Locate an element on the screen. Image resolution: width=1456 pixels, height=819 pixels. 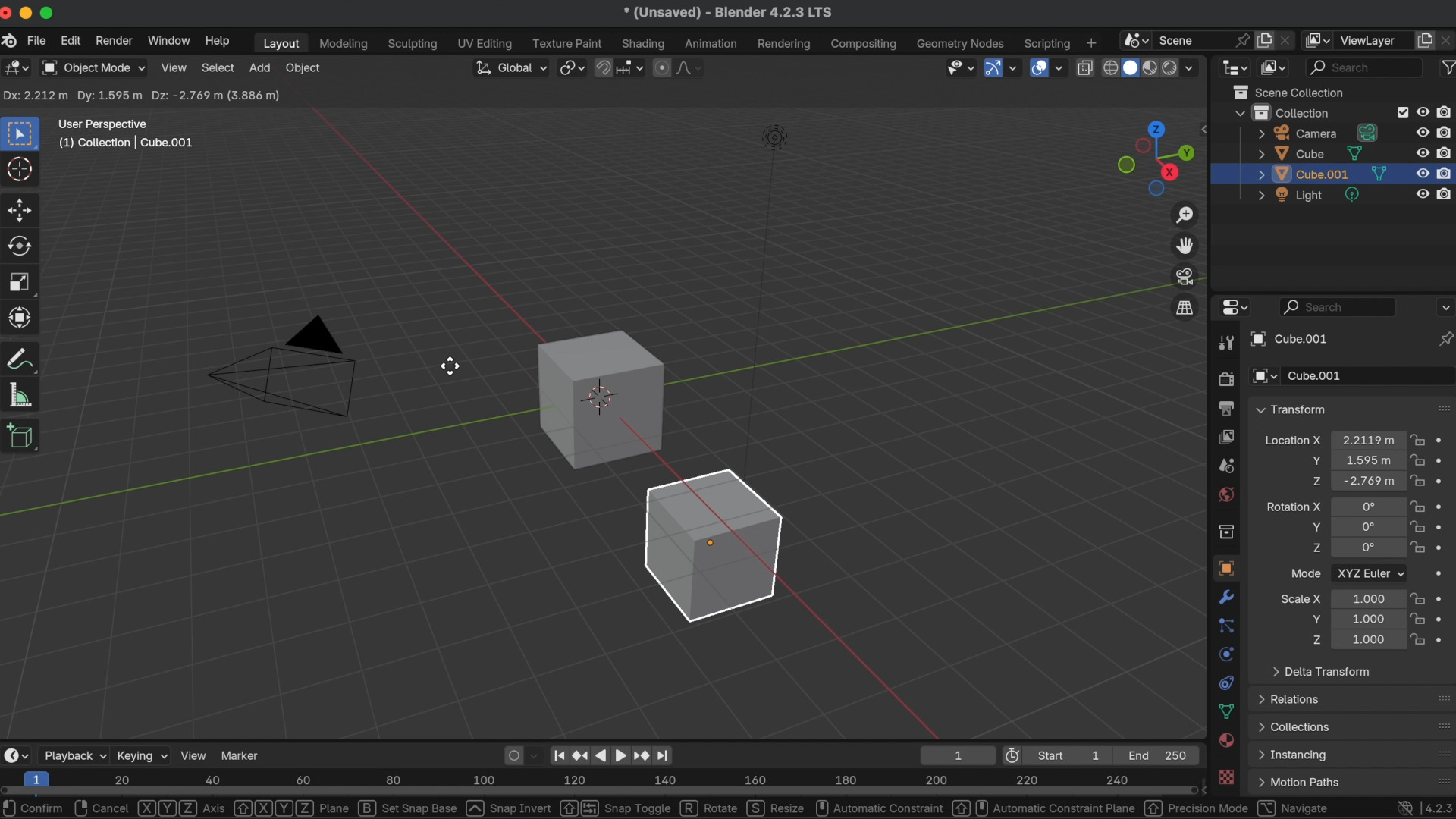
user perspective is located at coordinates (104, 122).